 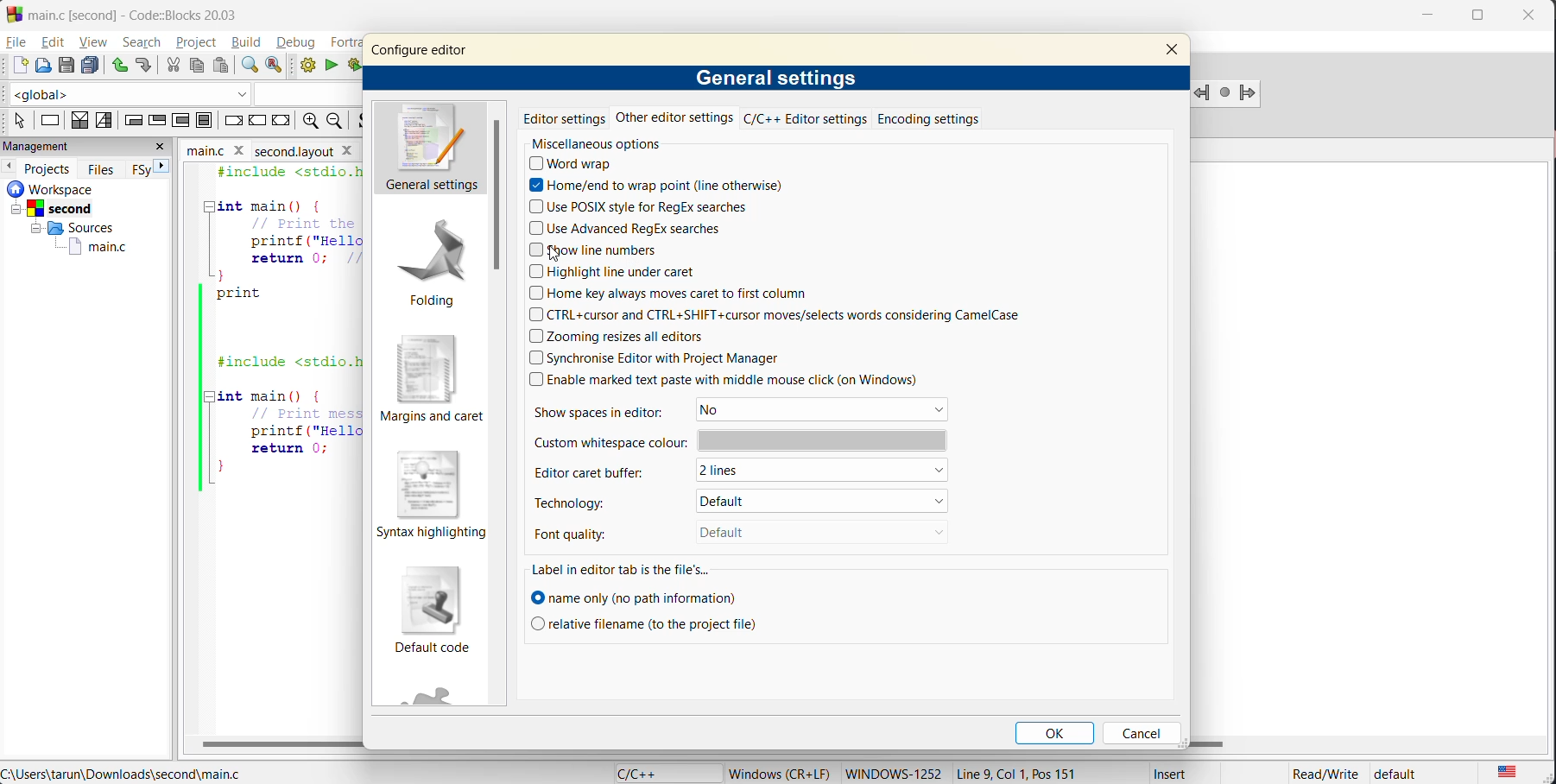 What do you see at coordinates (281, 68) in the screenshot?
I see `replace` at bounding box center [281, 68].